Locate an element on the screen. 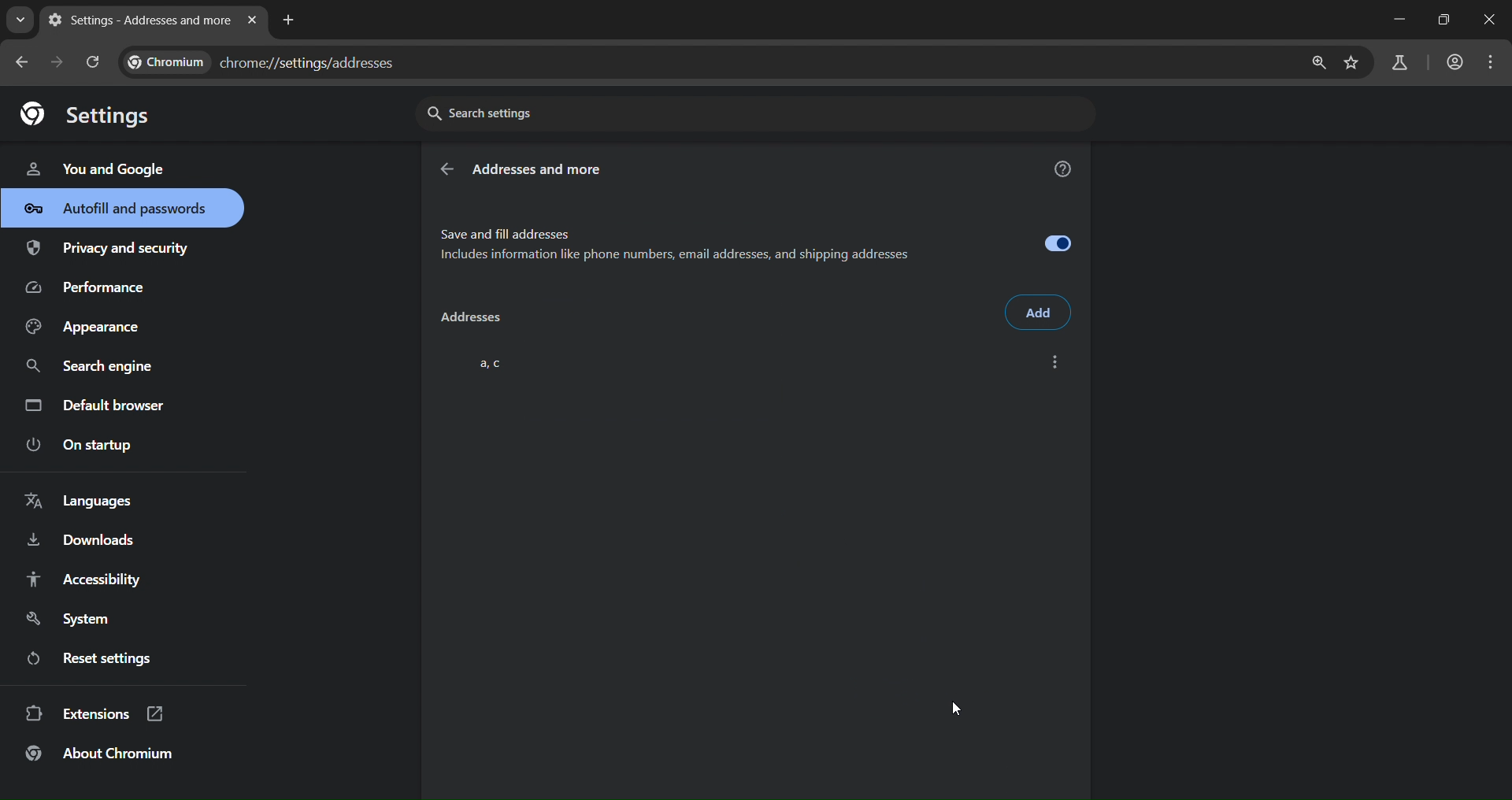 This screenshot has height=800, width=1512. current page is located at coordinates (136, 20).